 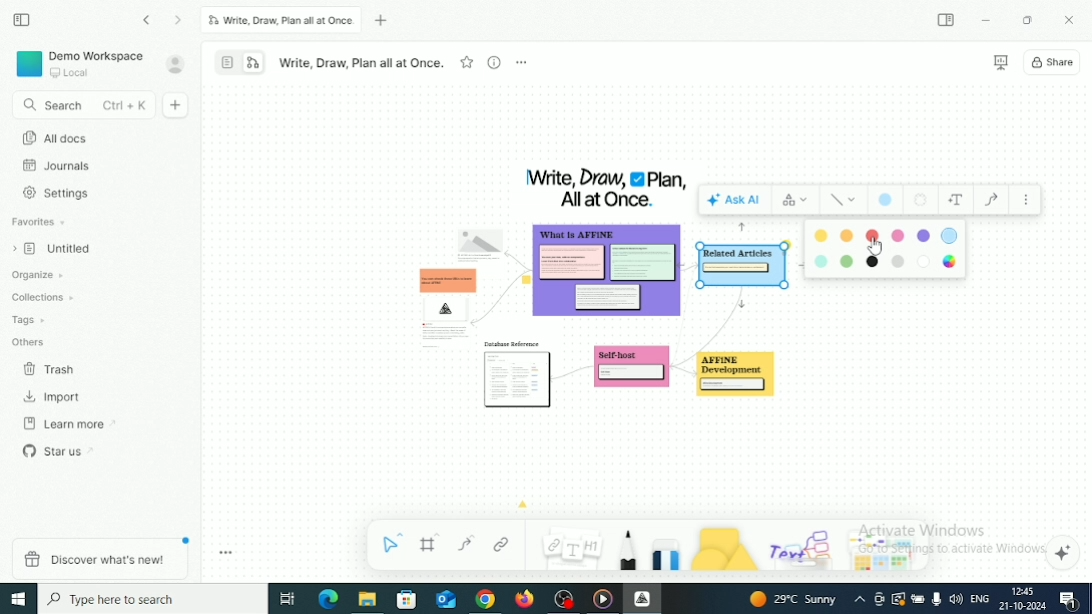 What do you see at coordinates (887, 553) in the screenshot?
I see `Arrows and stickers` at bounding box center [887, 553].